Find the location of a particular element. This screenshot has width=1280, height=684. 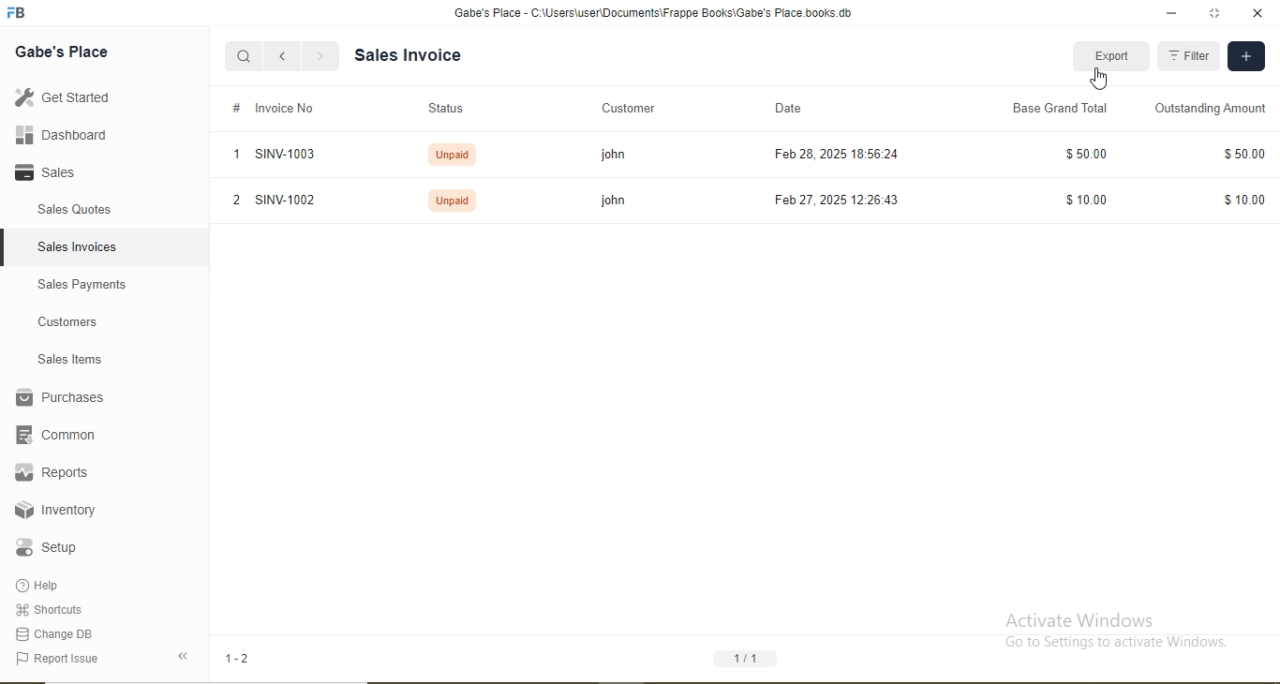

Shortcuts is located at coordinates (55, 610).